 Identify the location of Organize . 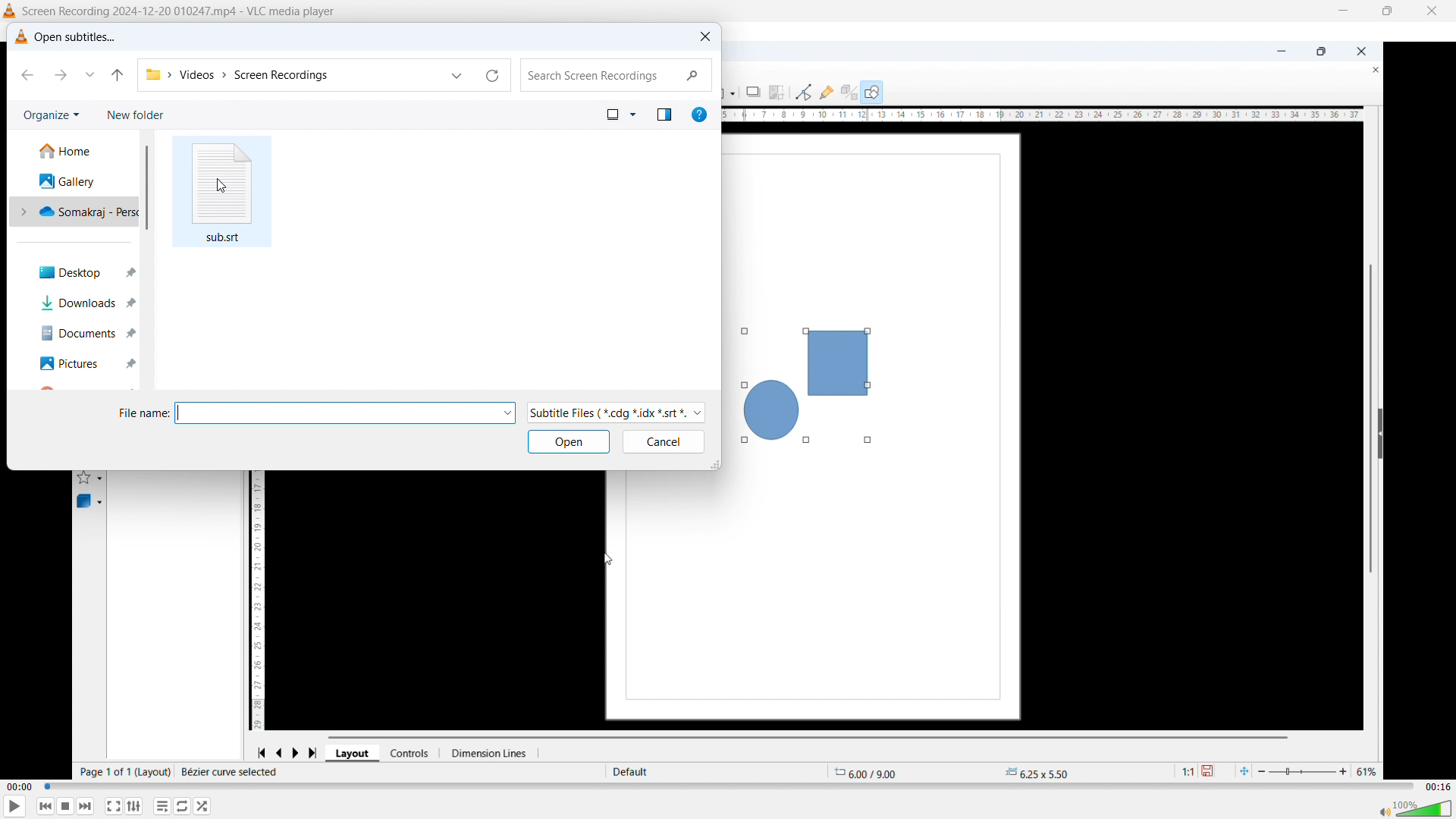
(51, 115).